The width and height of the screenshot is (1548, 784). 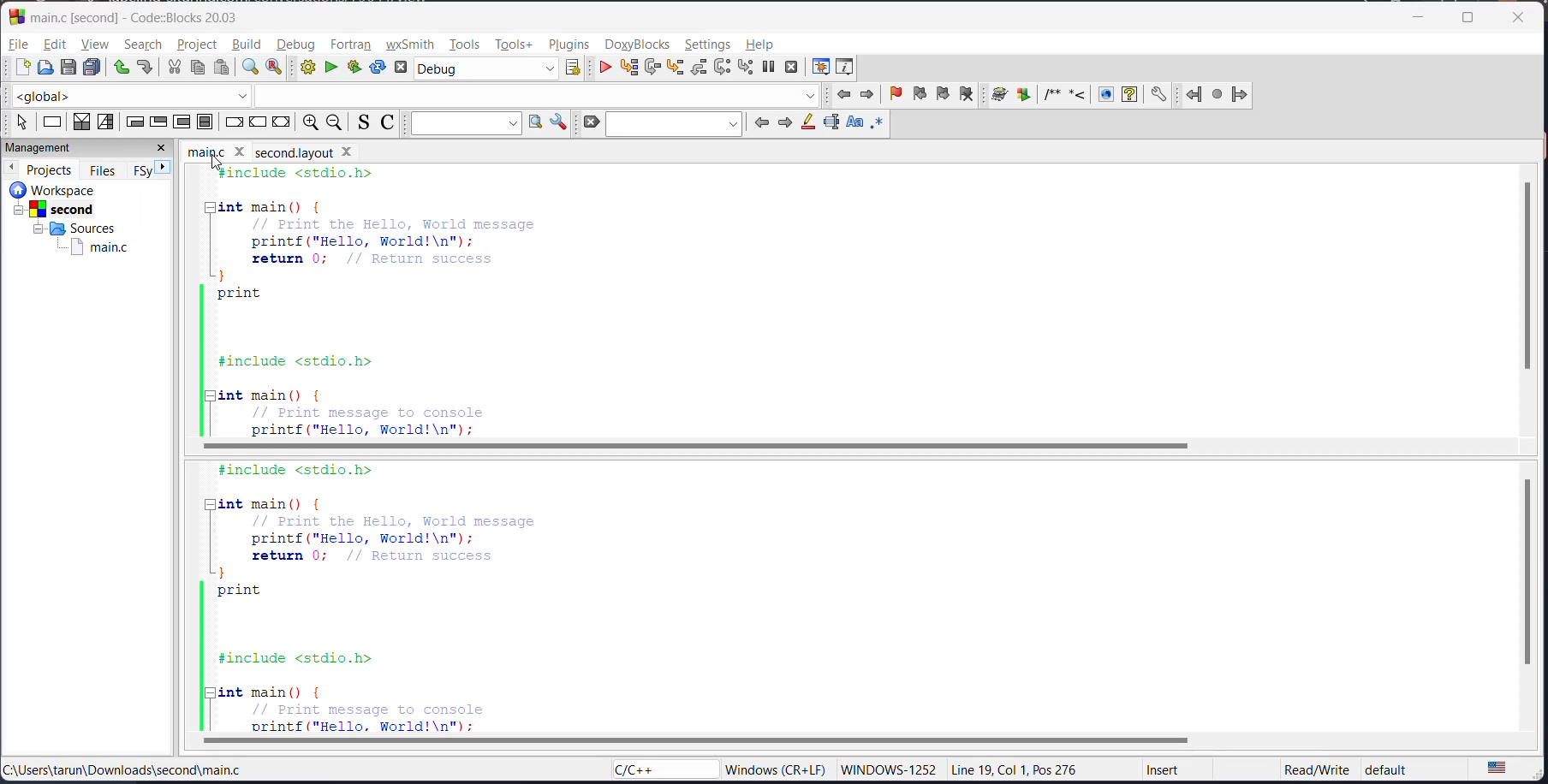 What do you see at coordinates (763, 123) in the screenshot?
I see `previous` at bounding box center [763, 123].